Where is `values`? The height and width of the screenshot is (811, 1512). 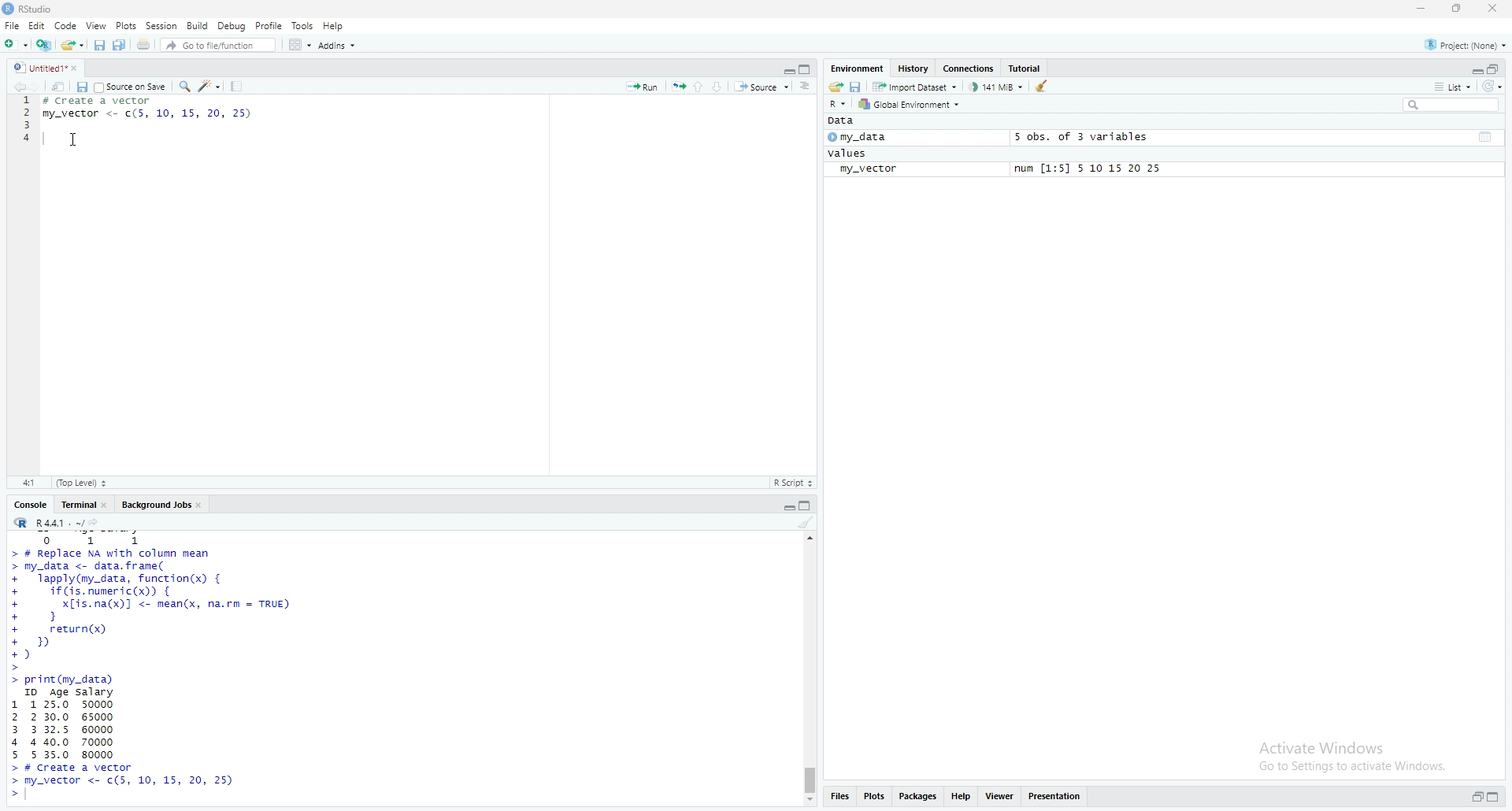 values is located at coordinates (850, 154).